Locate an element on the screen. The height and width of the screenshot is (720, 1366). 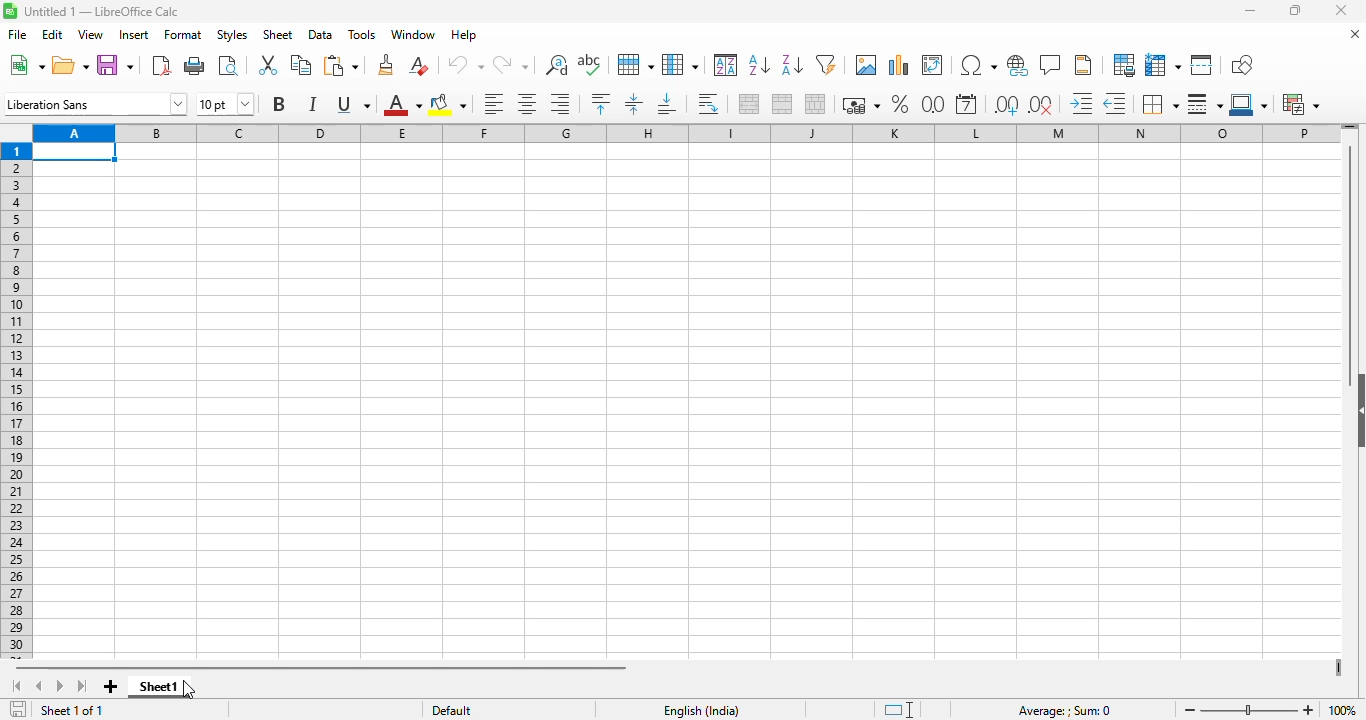
redo is located at coordinates (511, 65).